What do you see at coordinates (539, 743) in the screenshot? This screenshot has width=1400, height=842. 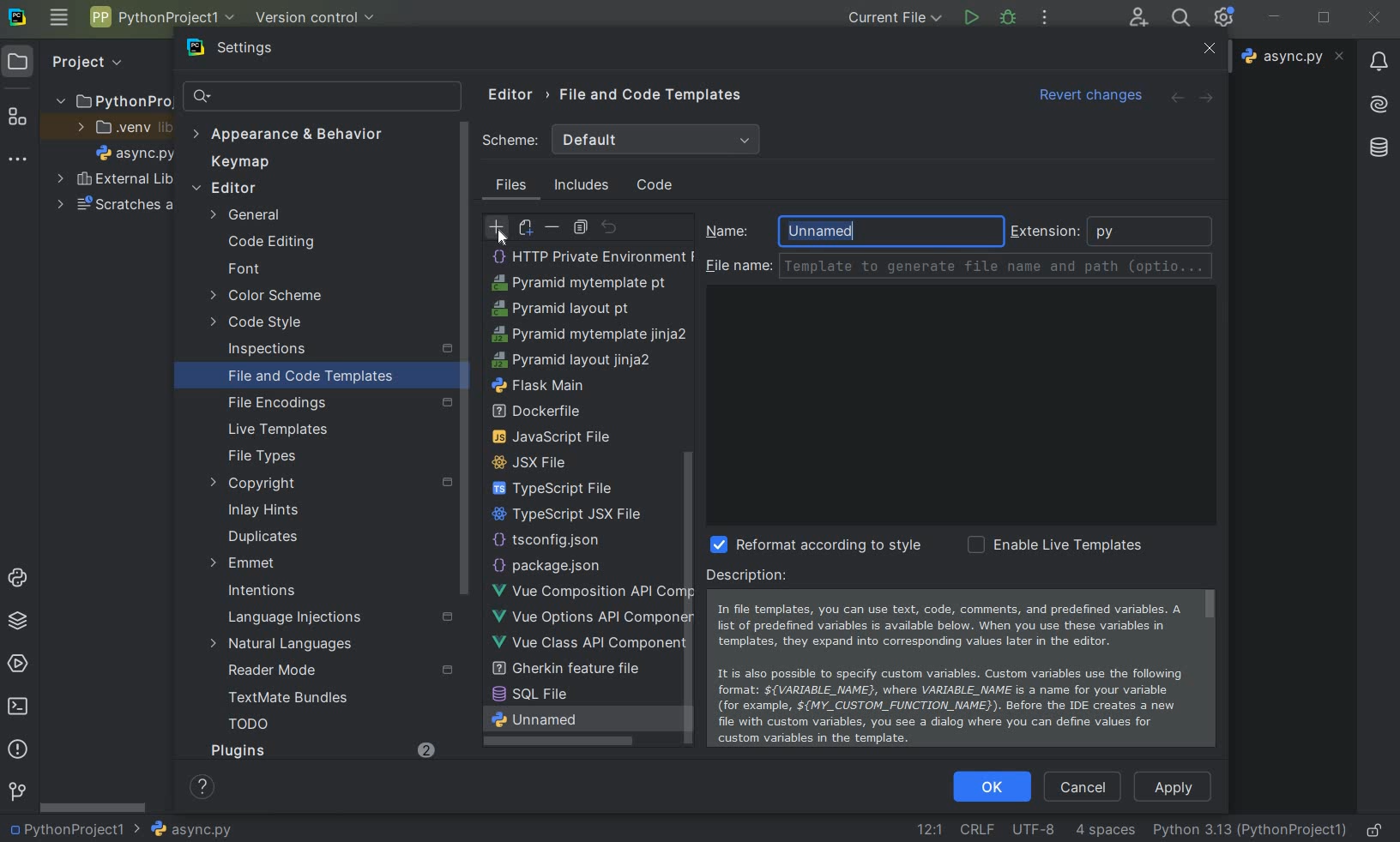 I see `flask main` at bounding box center [539, 743].